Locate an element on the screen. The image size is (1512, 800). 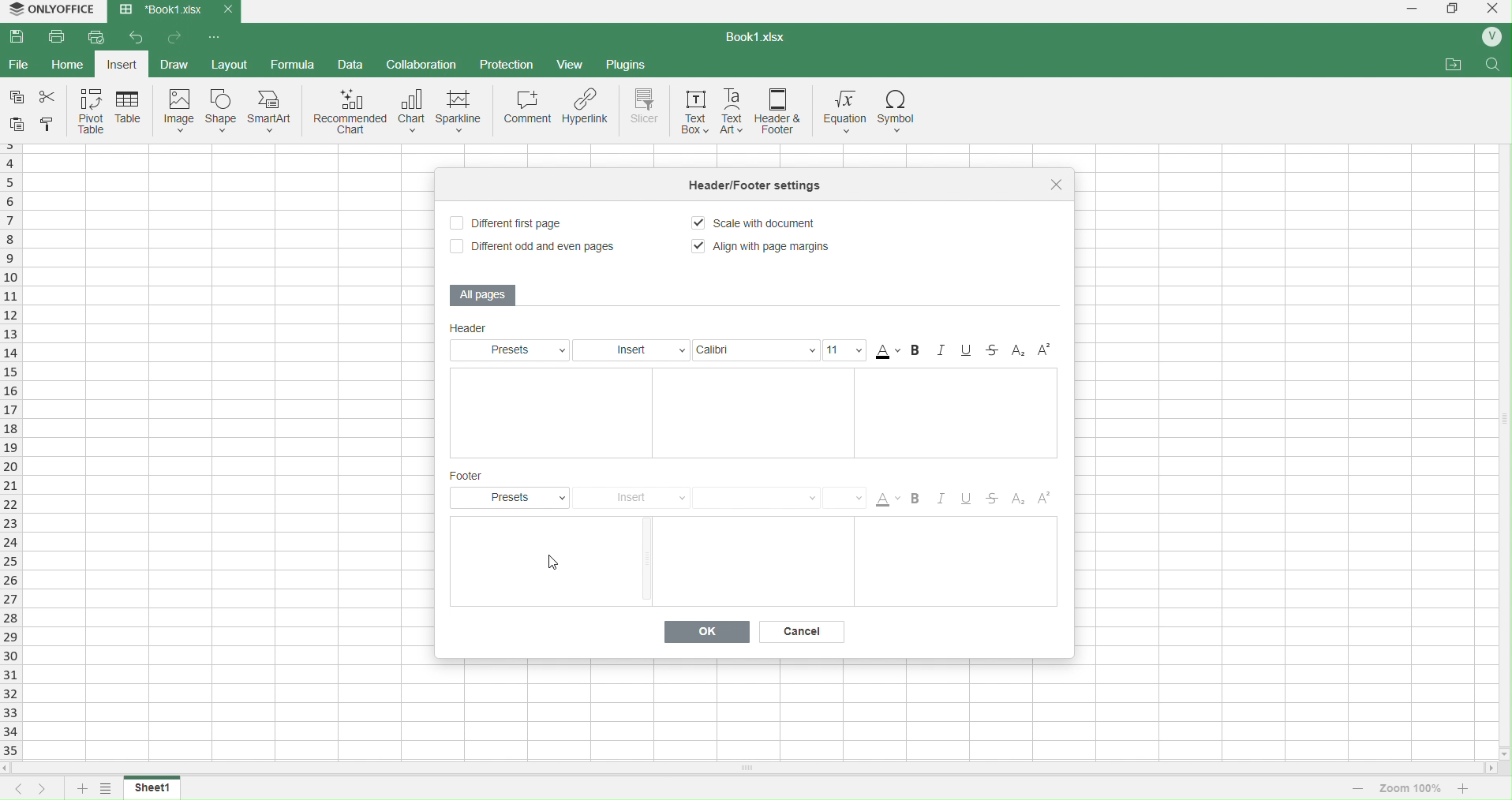
close is located at coordinates (1059, 185).